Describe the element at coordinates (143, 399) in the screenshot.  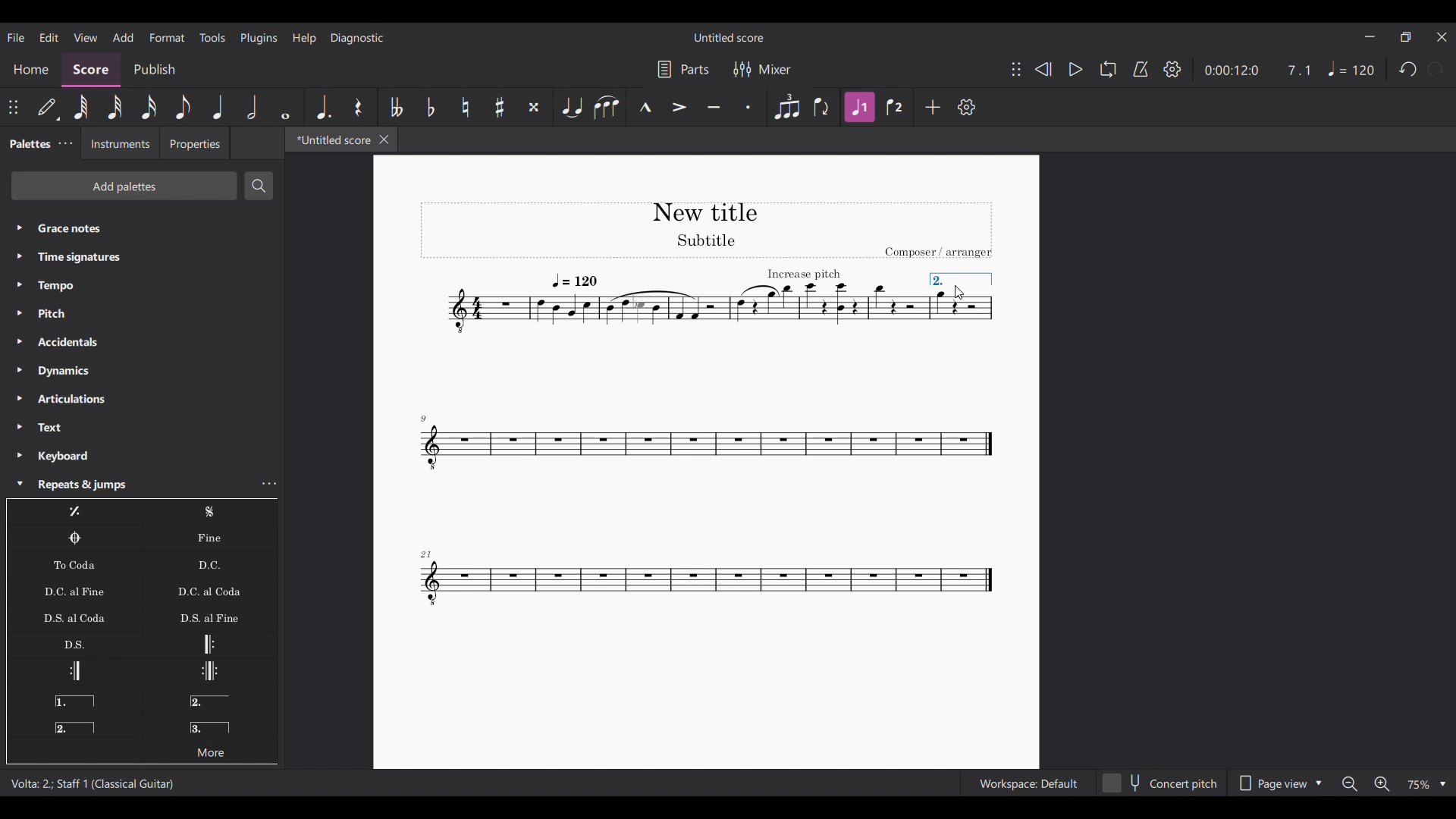
I see `Articulations` at that location.